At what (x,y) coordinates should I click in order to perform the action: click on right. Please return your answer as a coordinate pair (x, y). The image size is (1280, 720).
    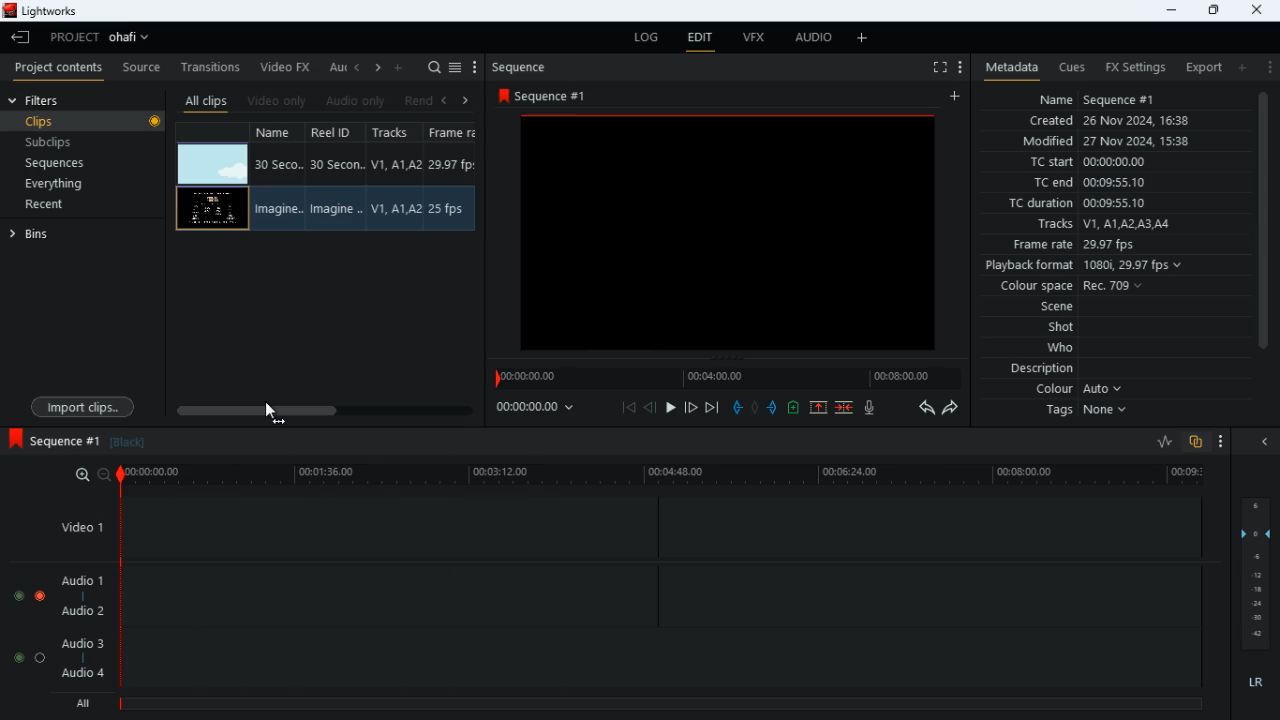
    Looking at the image, I should click on (378, 68).